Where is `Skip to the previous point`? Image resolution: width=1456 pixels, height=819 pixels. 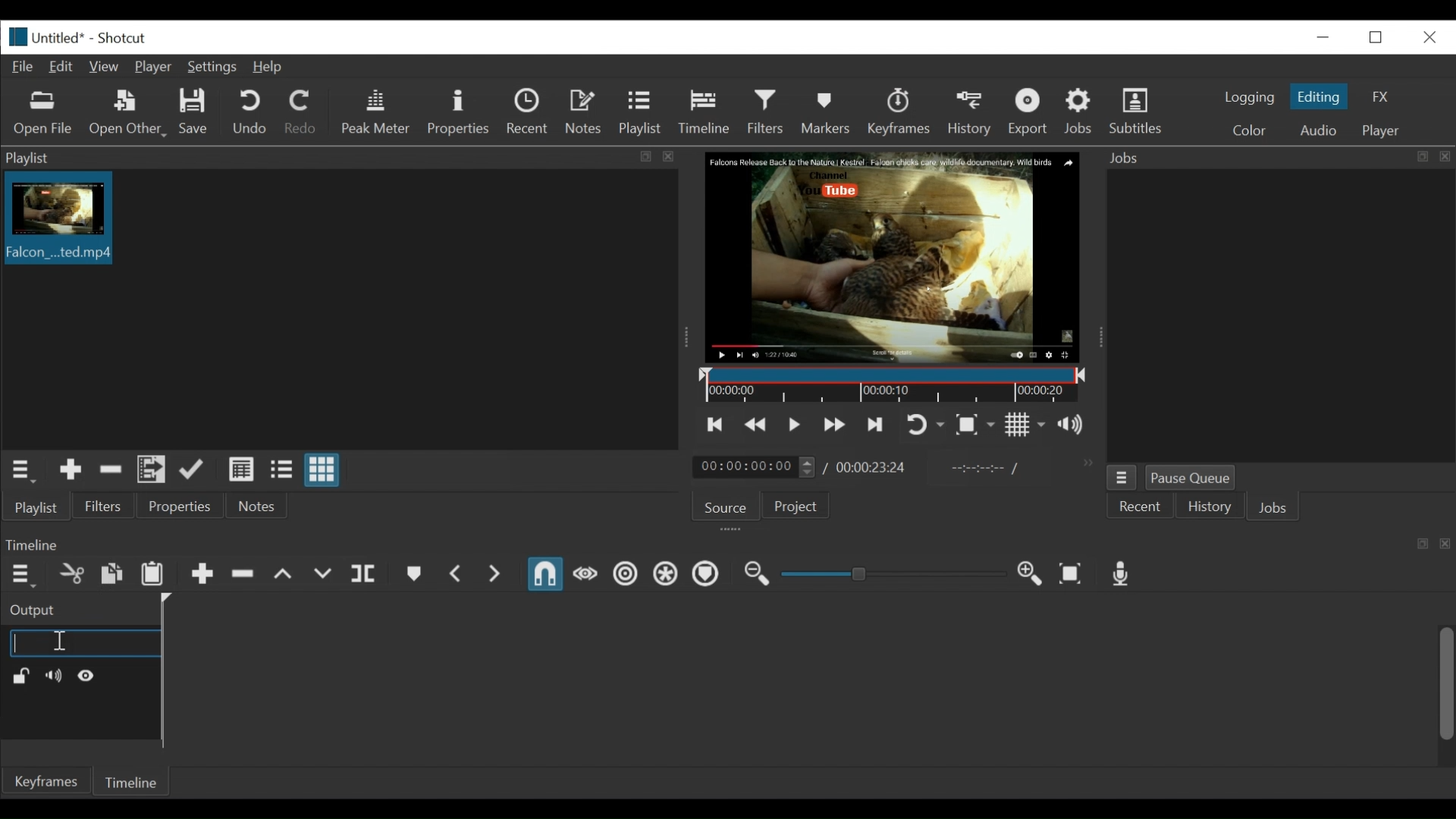 Skip to the previous point is located at coordinates (716, 425).